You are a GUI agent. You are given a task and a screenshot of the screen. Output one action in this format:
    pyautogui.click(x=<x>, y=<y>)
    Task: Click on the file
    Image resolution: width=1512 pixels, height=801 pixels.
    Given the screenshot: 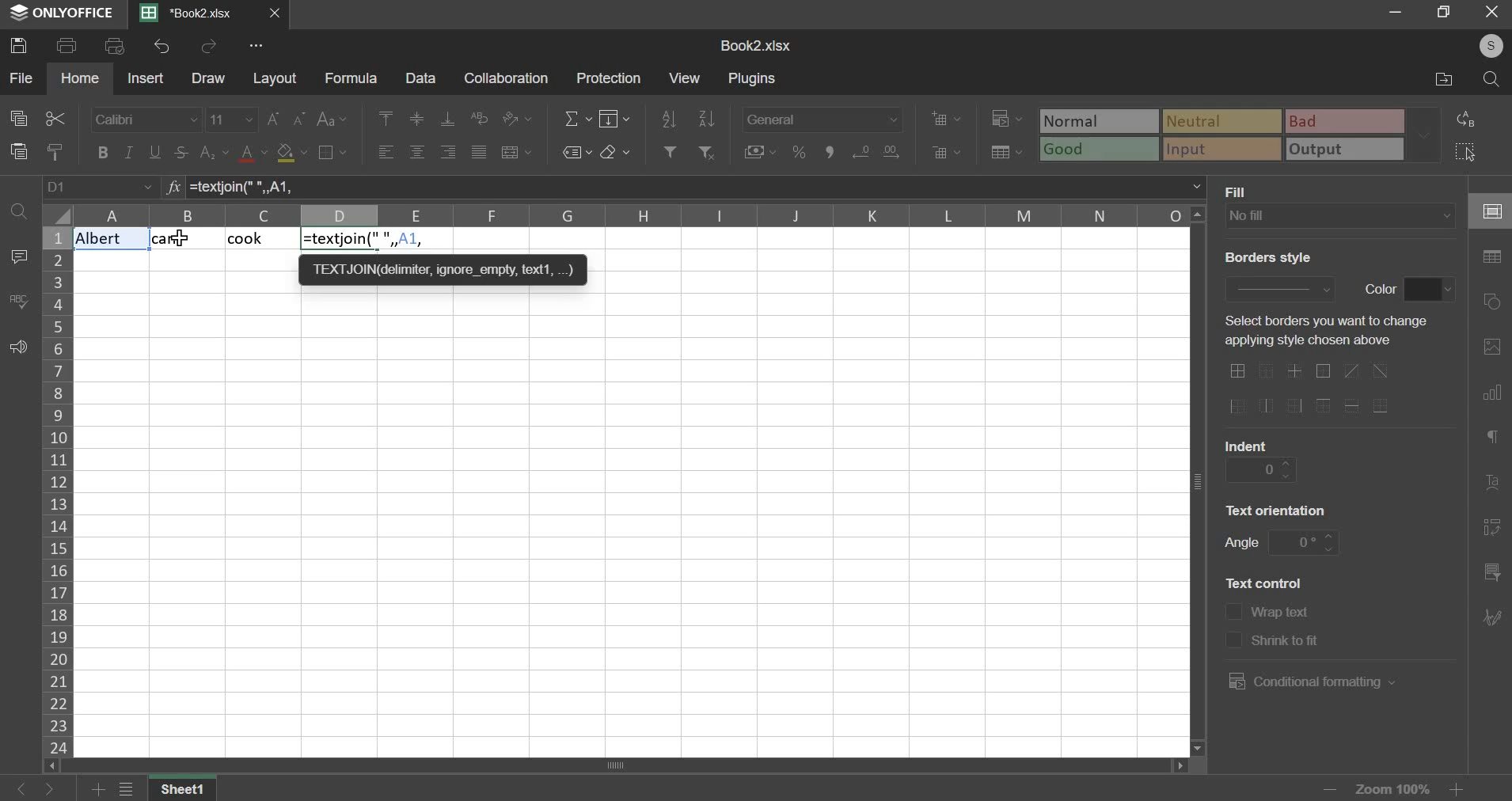 What is the action you would take?
    pyautogui.click(x=21, y=77)
    